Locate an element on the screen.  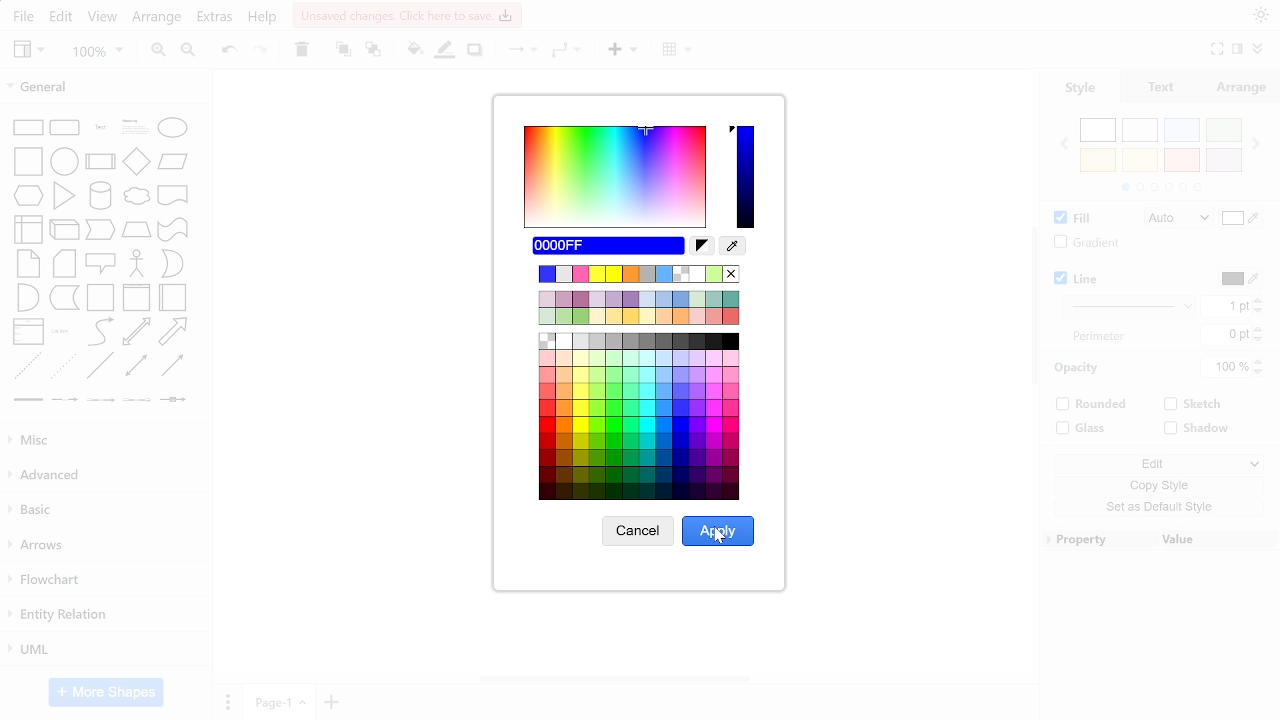
basic is located at coordinates (105, 513).